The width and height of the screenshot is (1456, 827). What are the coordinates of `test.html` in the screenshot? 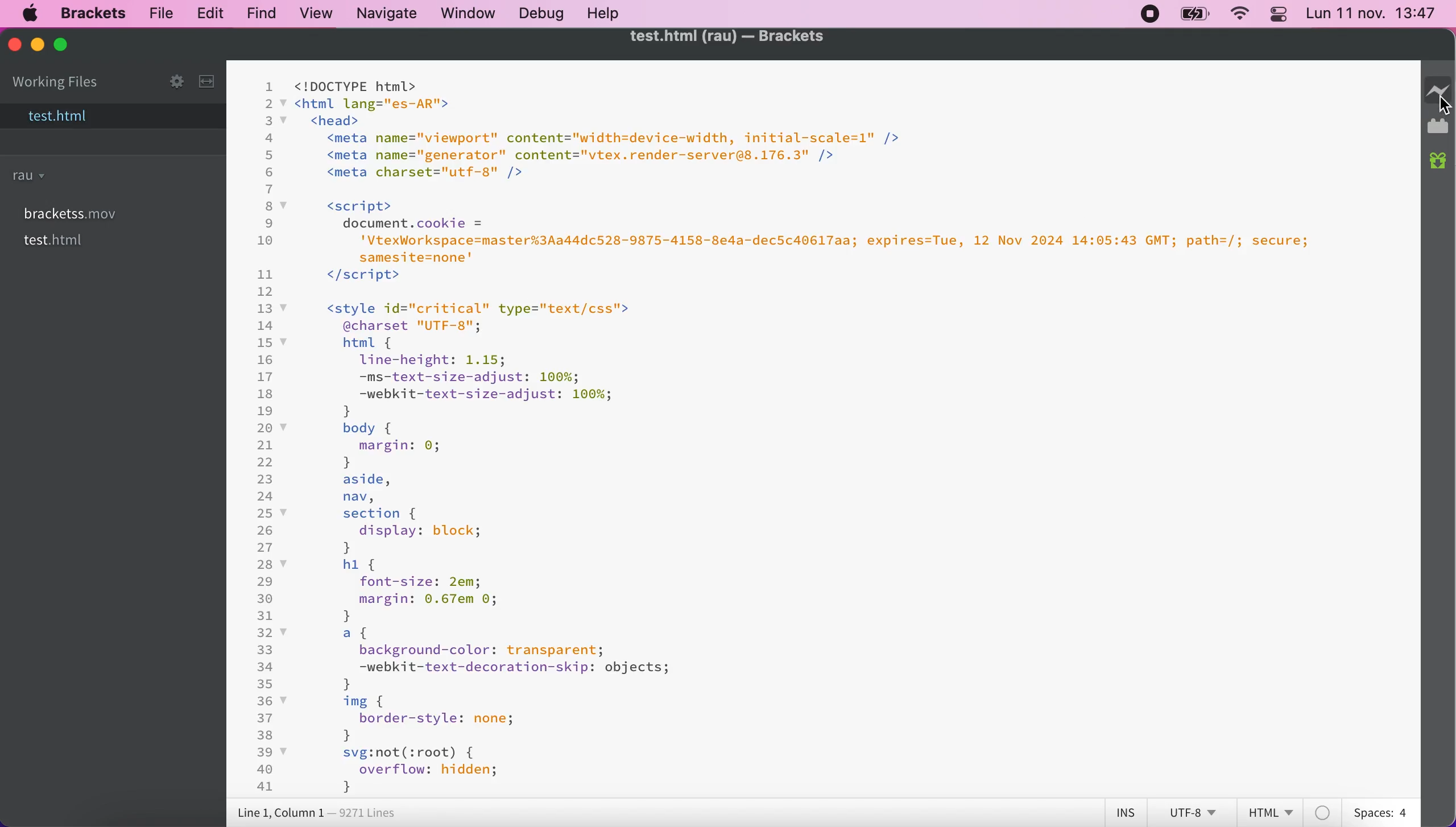 It's located at (56, 241).